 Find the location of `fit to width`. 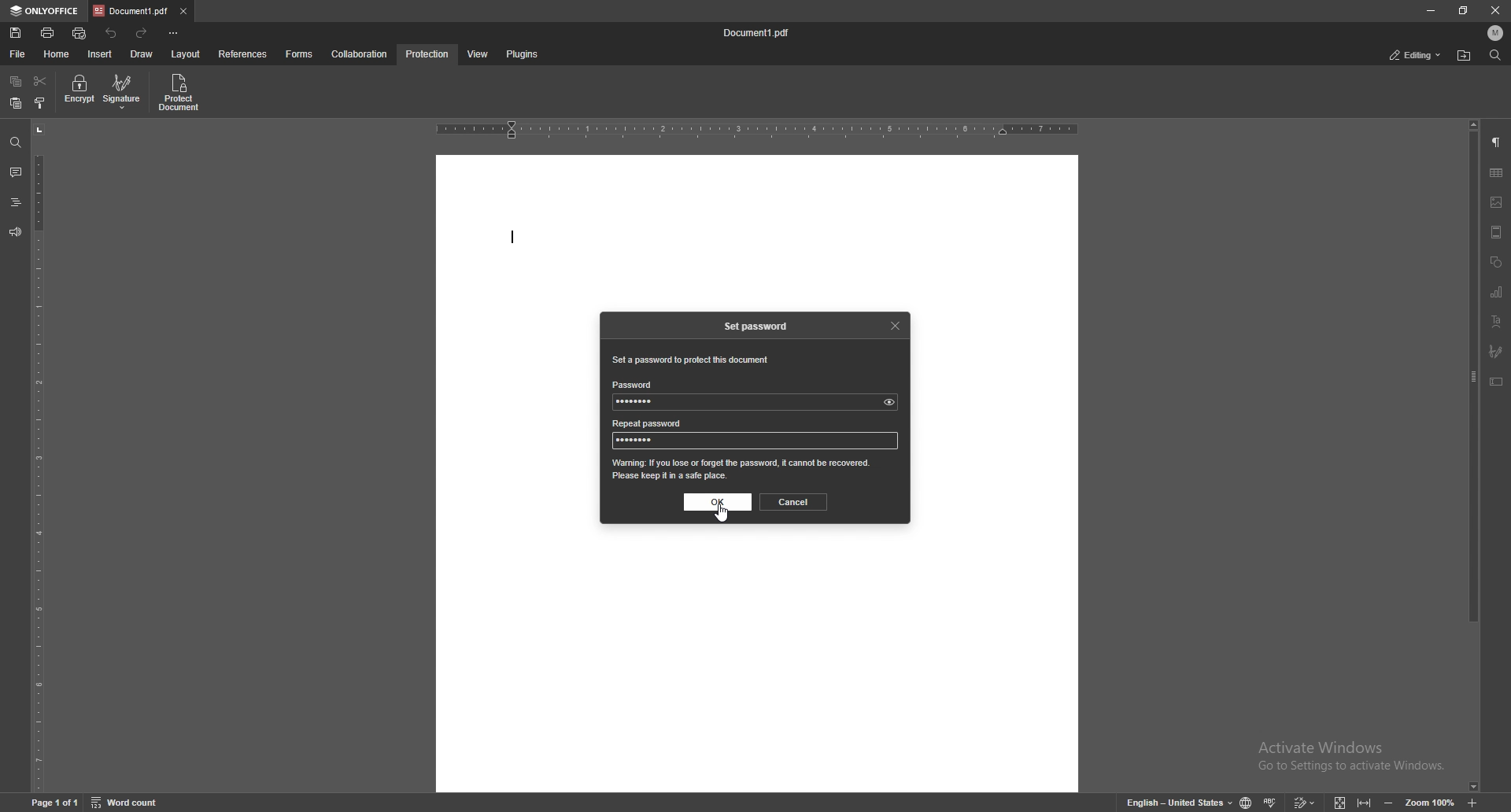

fit to width is located at coordinates (1365, 801).